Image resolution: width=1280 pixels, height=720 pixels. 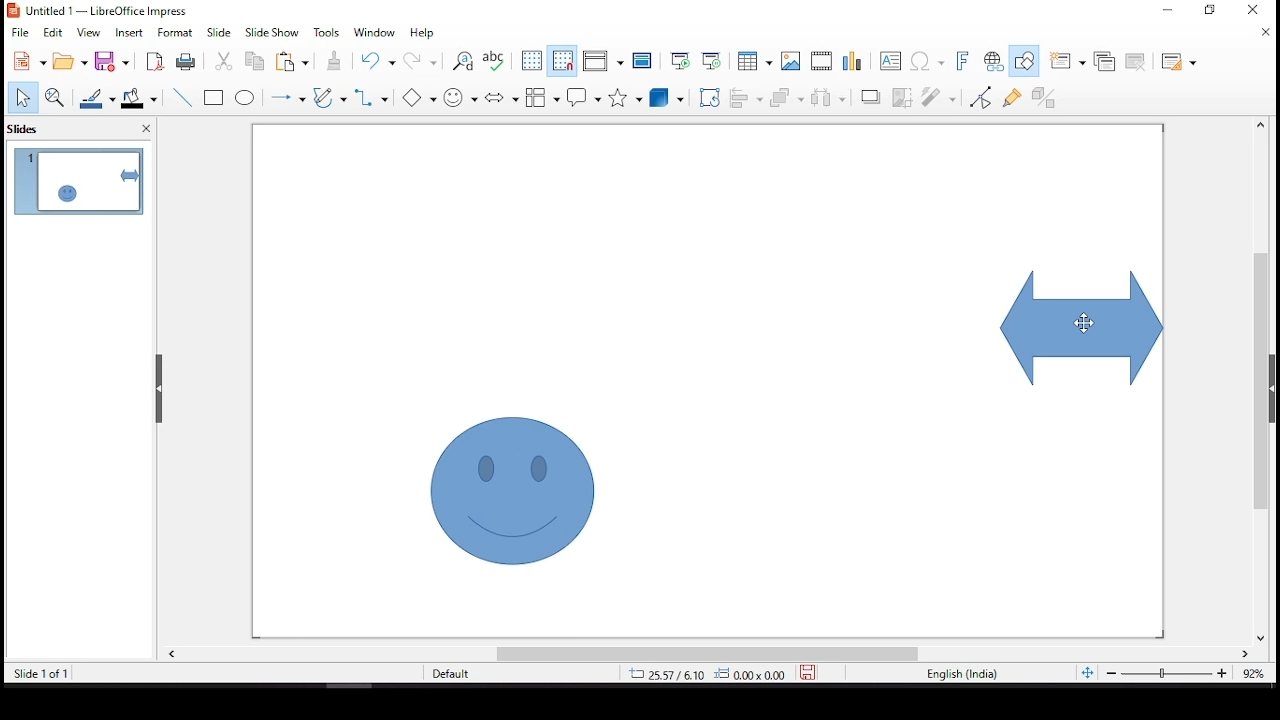 What do you see at coordinates (993, 62) in the screenshot?
I see `insert hyperlink` at bounding box center [993, 62].